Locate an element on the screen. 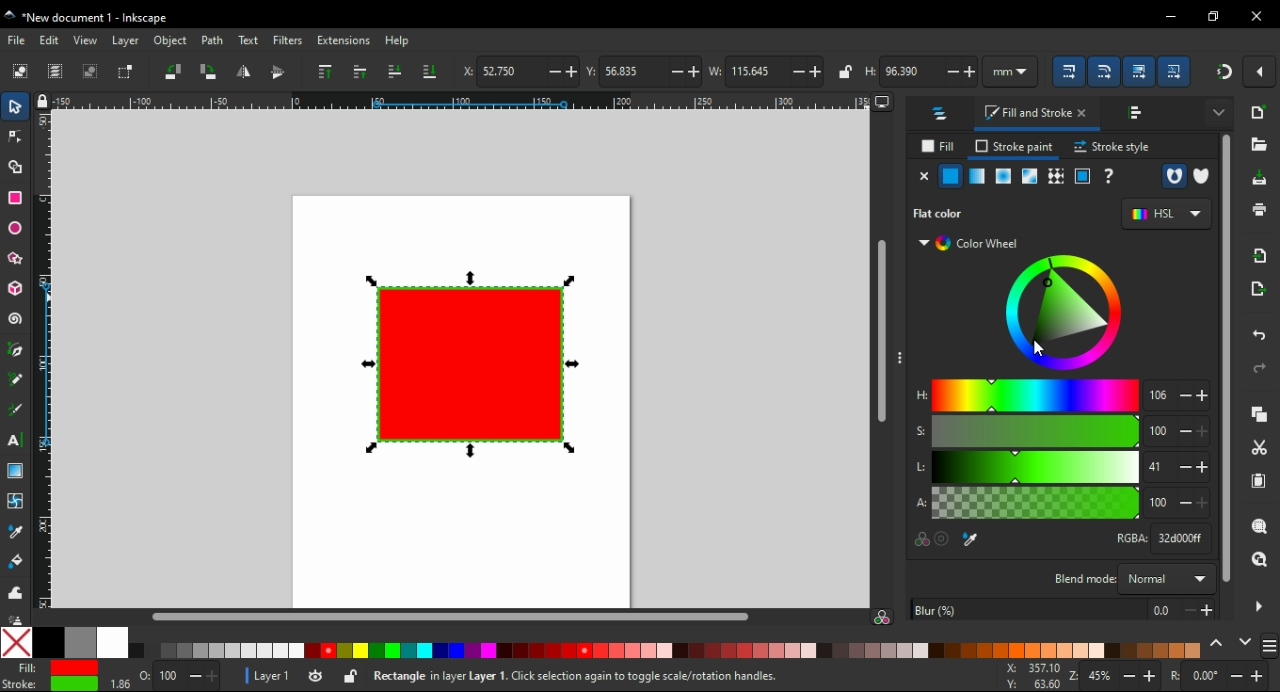  52 is located at coordinates (509, 71).